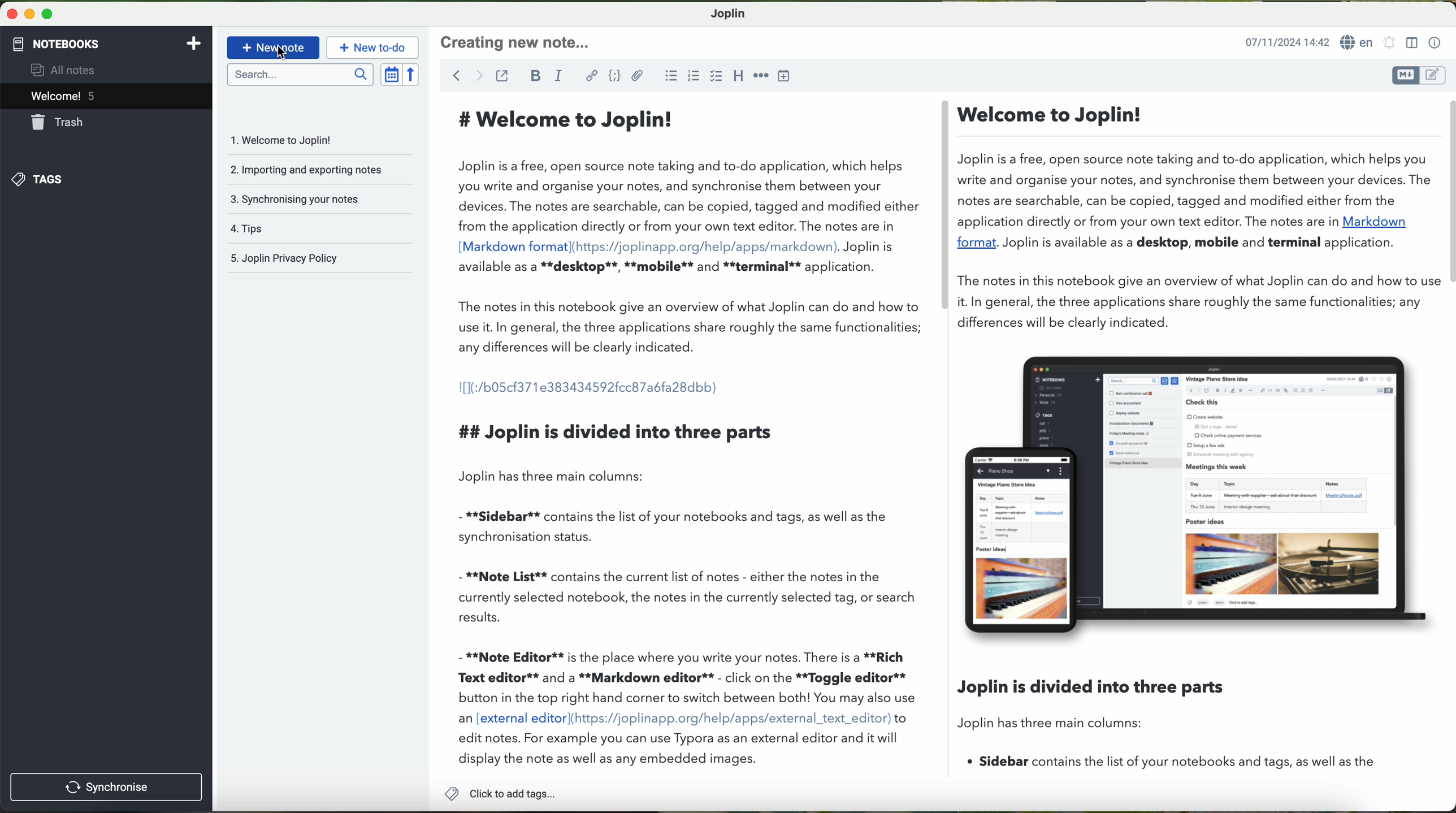 The image size is (1456, 813). Describe the element at coordinates (463, 75) in the screenshot. I see `navigation arrows` at that location.